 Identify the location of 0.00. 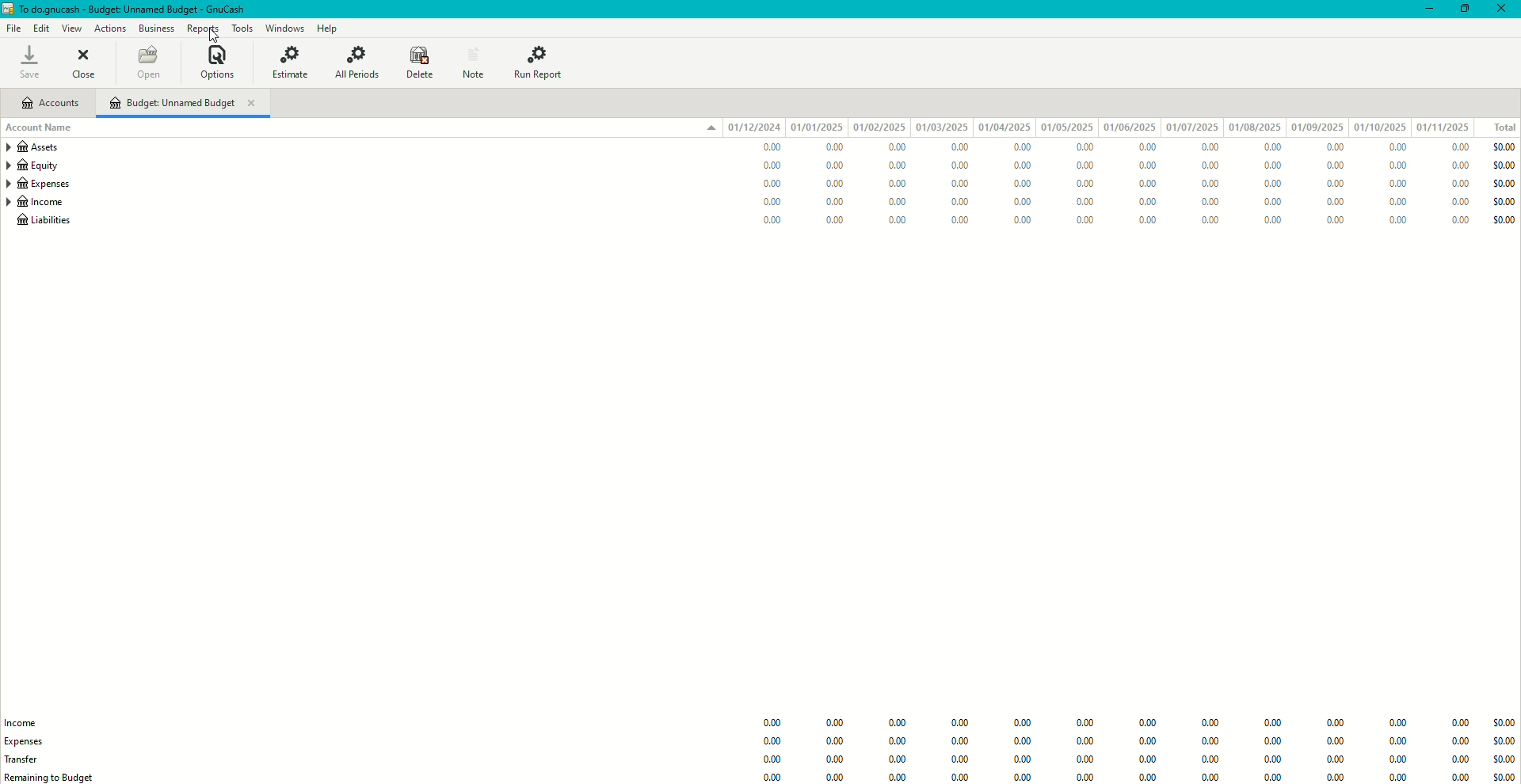
(1395, 724).